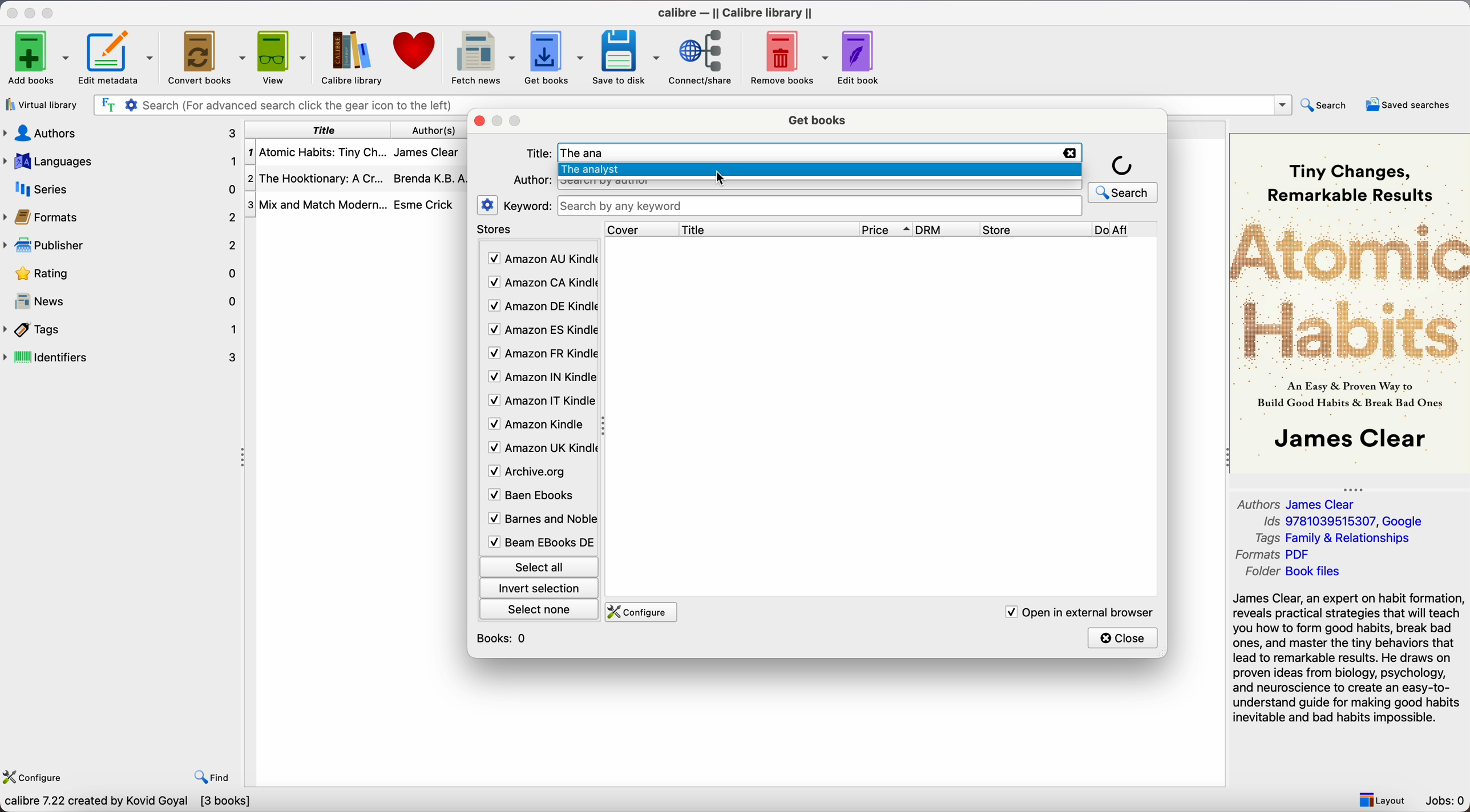 This screenshot has width=1470, height=812. What do you see at coordinates (689, 103) in the screenshot?
I see `search bar` at bounding box center [689, 103].